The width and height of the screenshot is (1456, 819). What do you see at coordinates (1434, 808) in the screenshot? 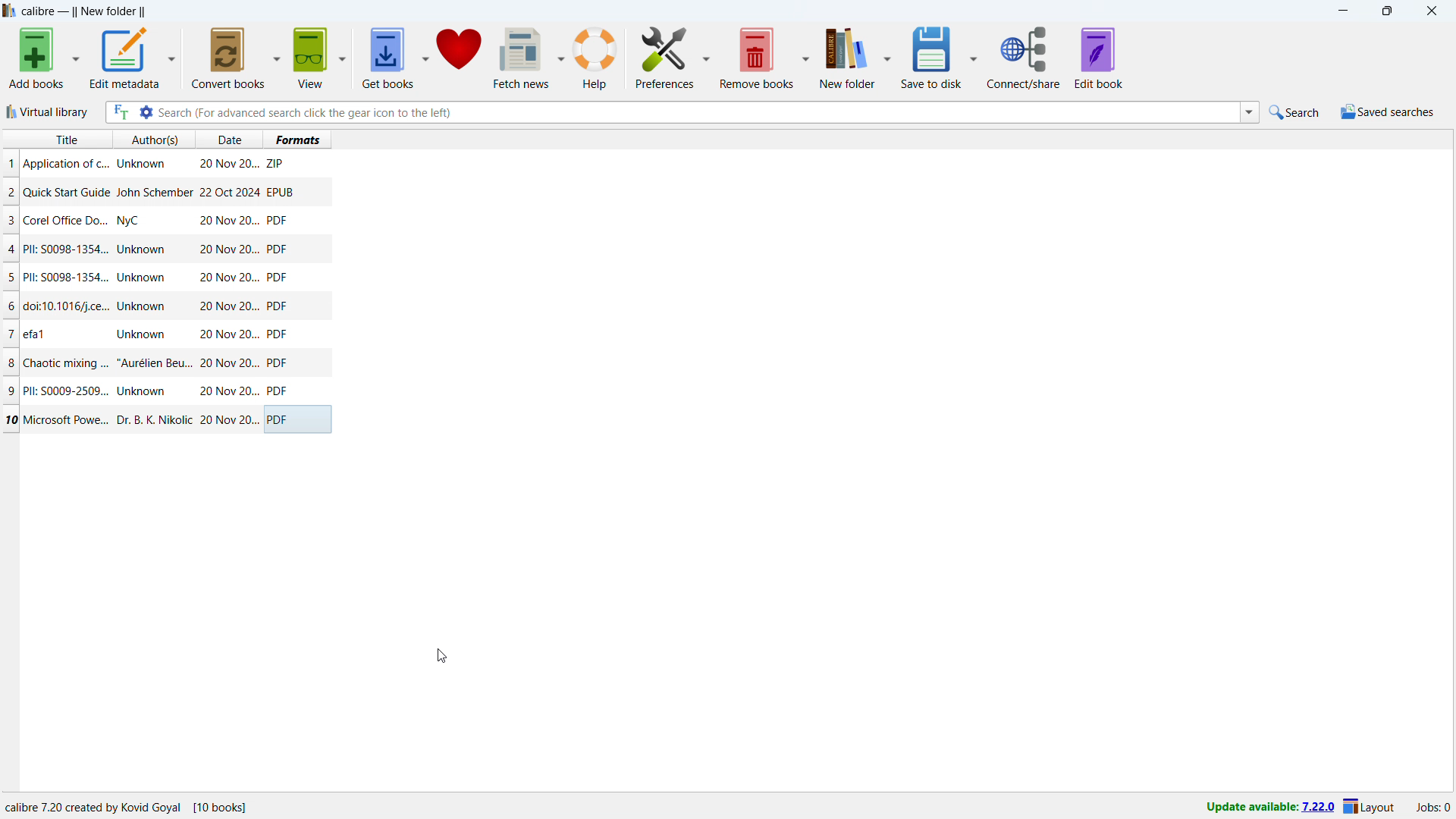
I see `Jobs: 0` at bounding box center [1434, 808].